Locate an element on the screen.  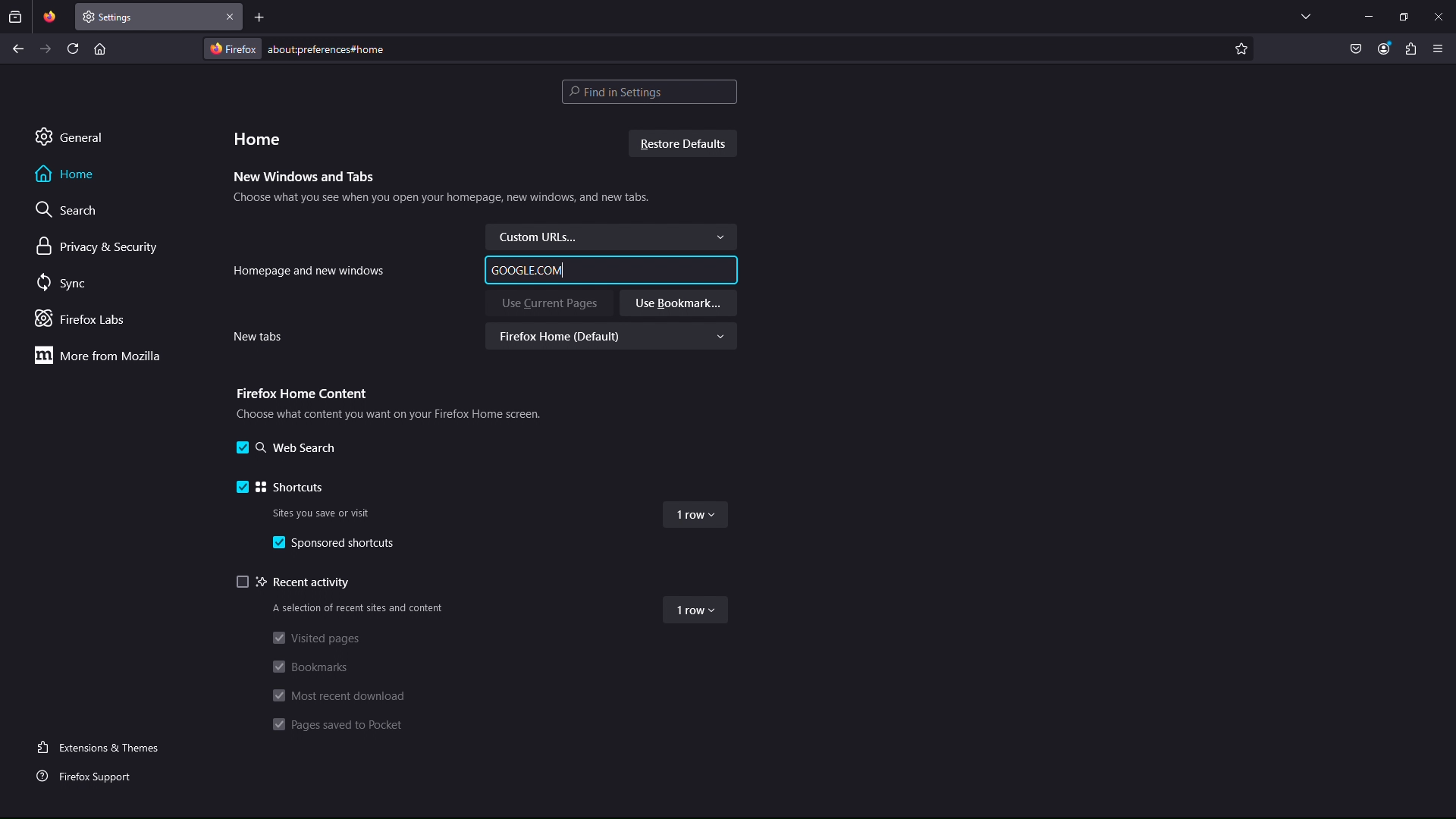
Sync is located at coordinates (65, 284).